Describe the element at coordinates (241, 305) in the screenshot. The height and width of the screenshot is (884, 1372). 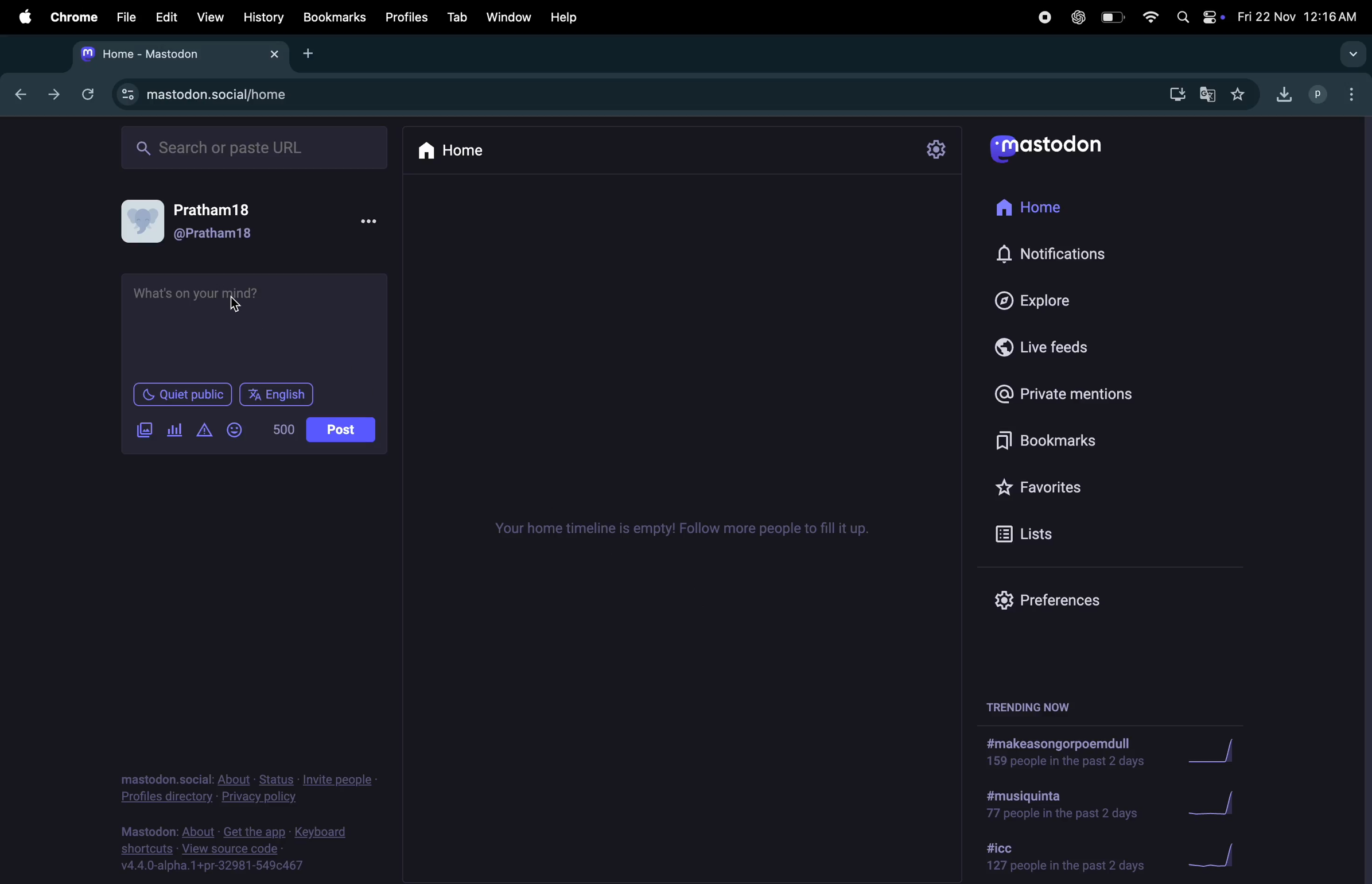
I see `cursor` at that location.